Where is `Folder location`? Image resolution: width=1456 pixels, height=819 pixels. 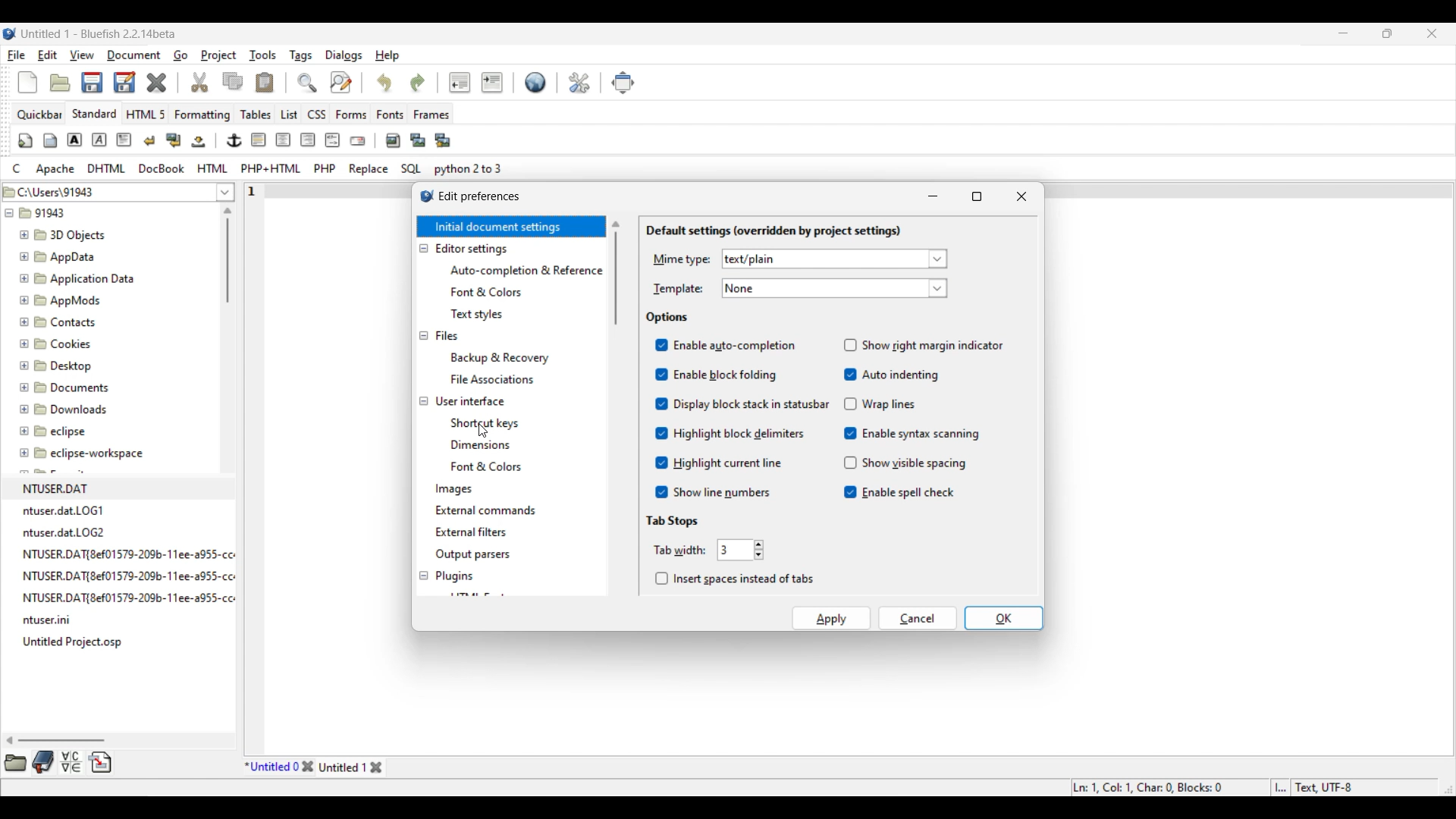
Folder location is located at coordinates (107, 189).